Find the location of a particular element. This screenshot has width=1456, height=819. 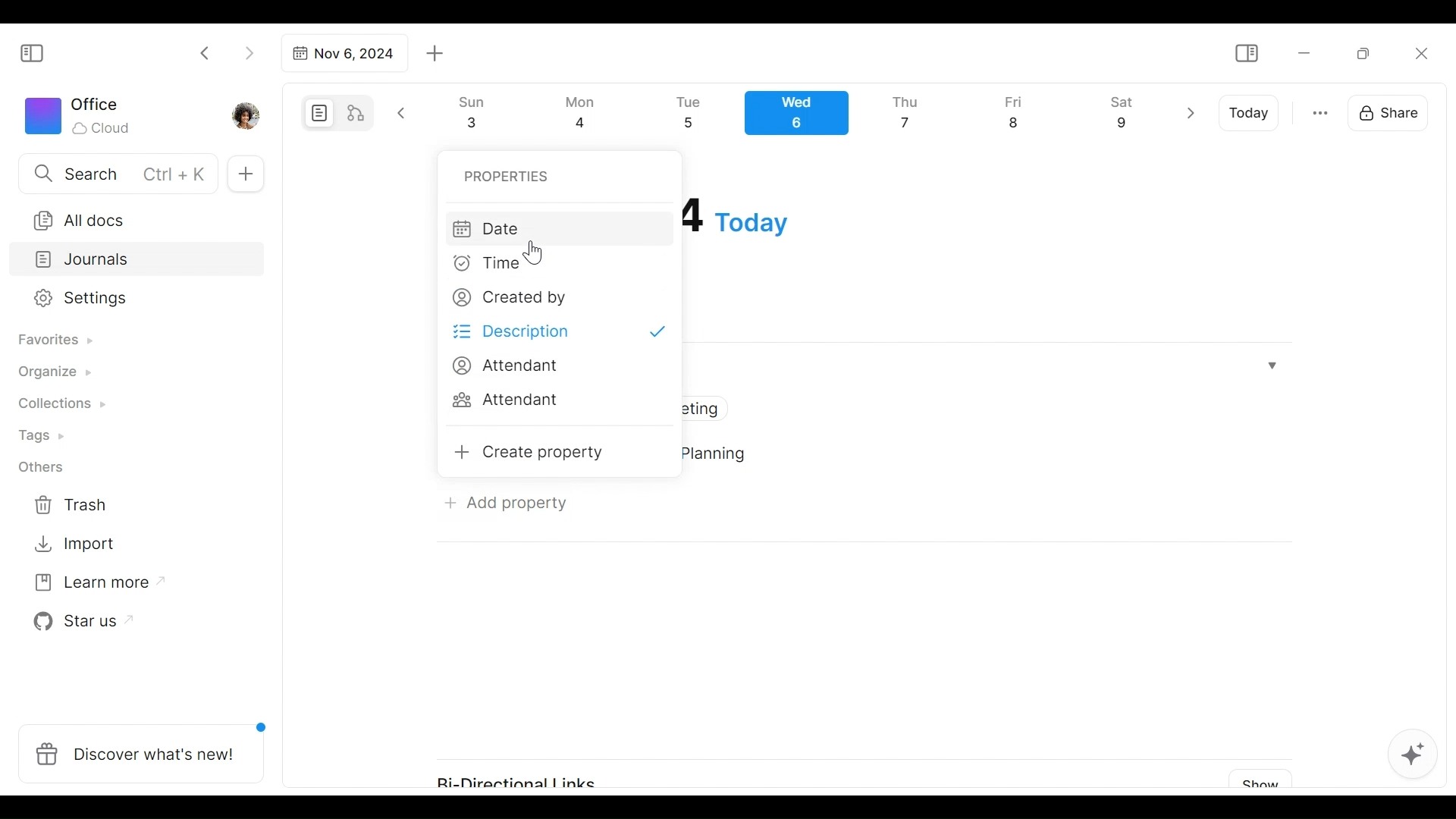

Calendar is located at coordinates (803, 117).